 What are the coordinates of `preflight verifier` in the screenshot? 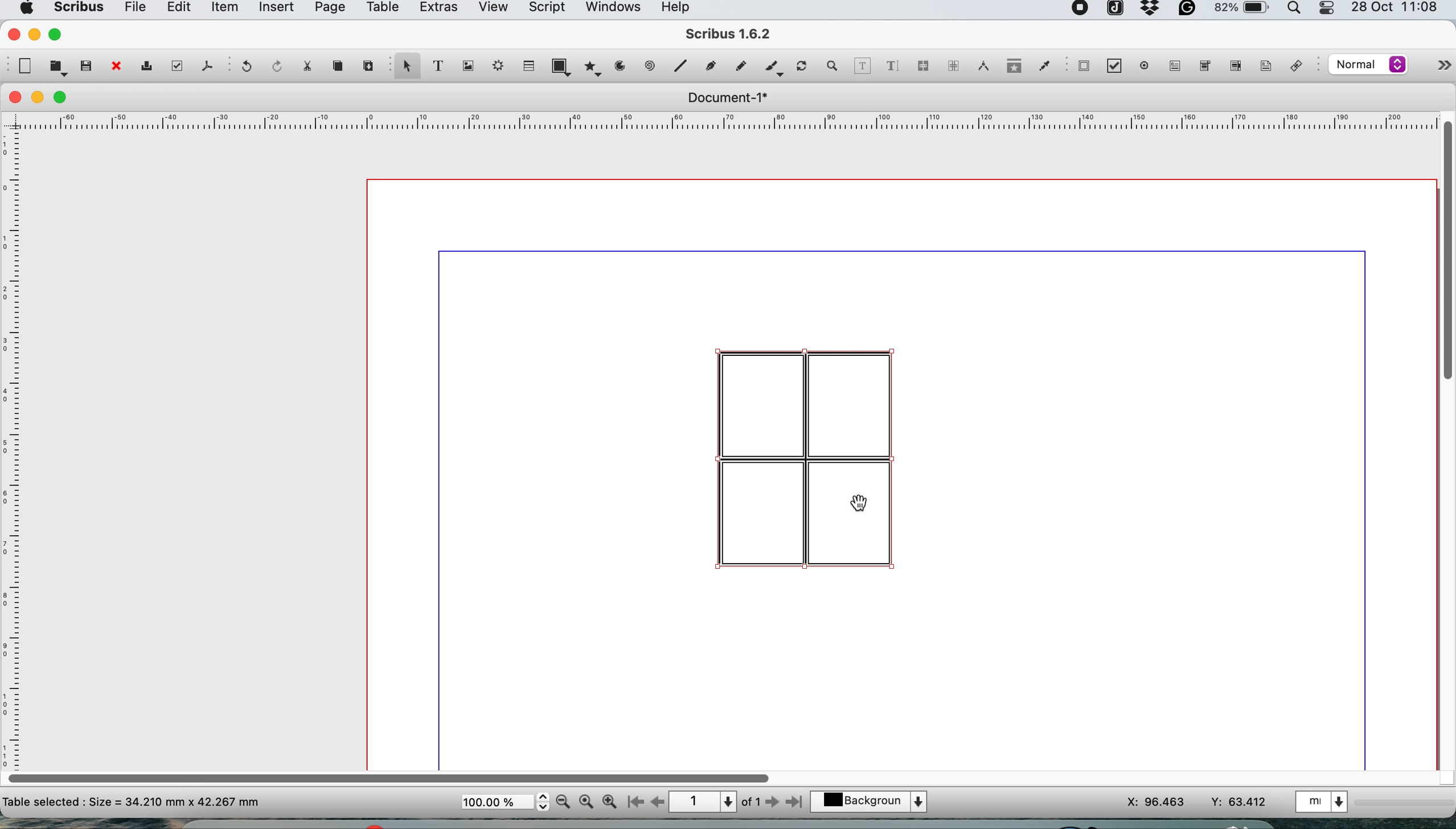 It's located at (174, 65).